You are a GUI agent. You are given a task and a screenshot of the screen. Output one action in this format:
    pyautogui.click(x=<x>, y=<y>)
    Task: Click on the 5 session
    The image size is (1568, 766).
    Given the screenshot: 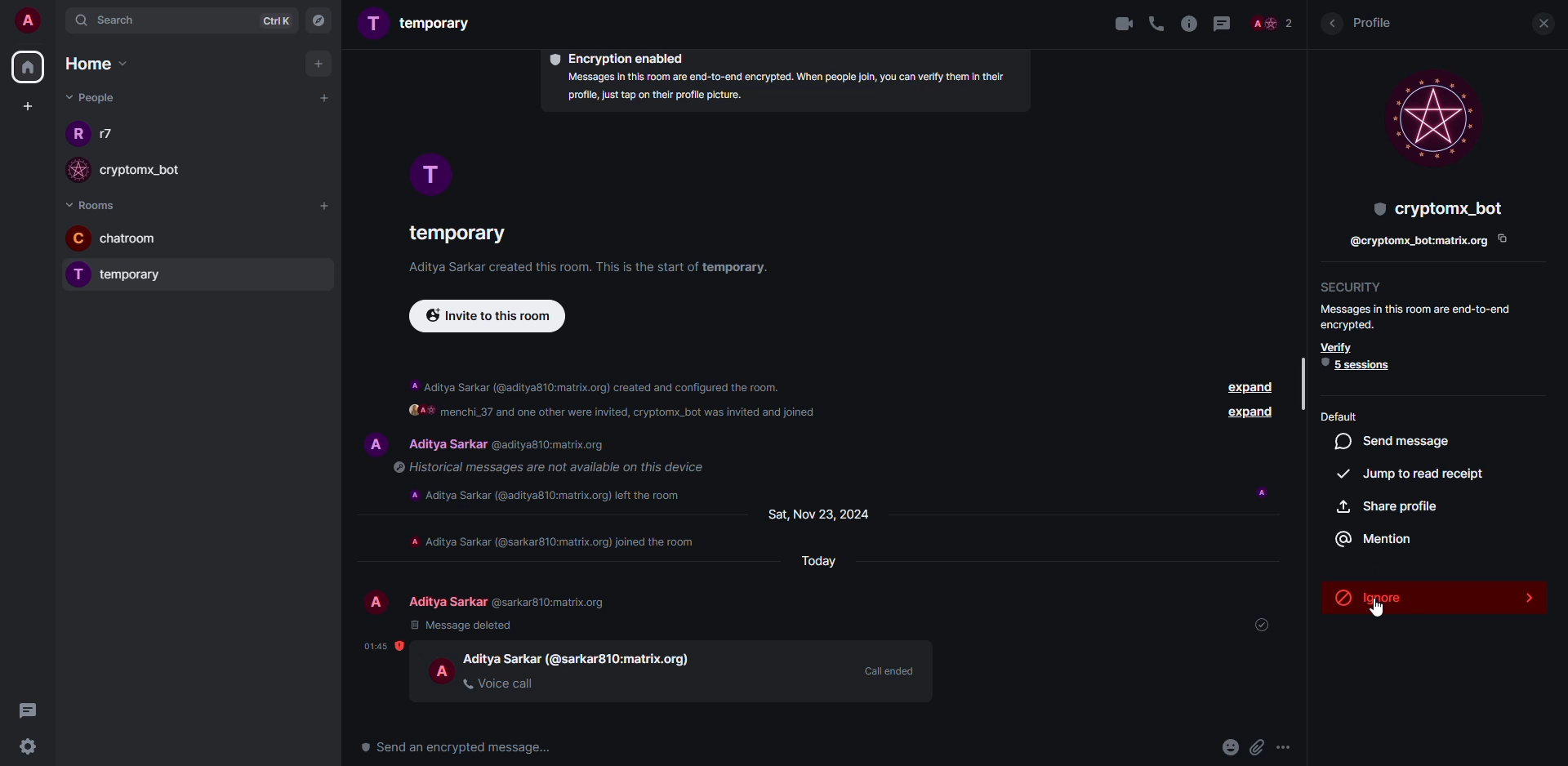 What is the action you would take?
    pyautogui.click(x=1360, y=364)
    